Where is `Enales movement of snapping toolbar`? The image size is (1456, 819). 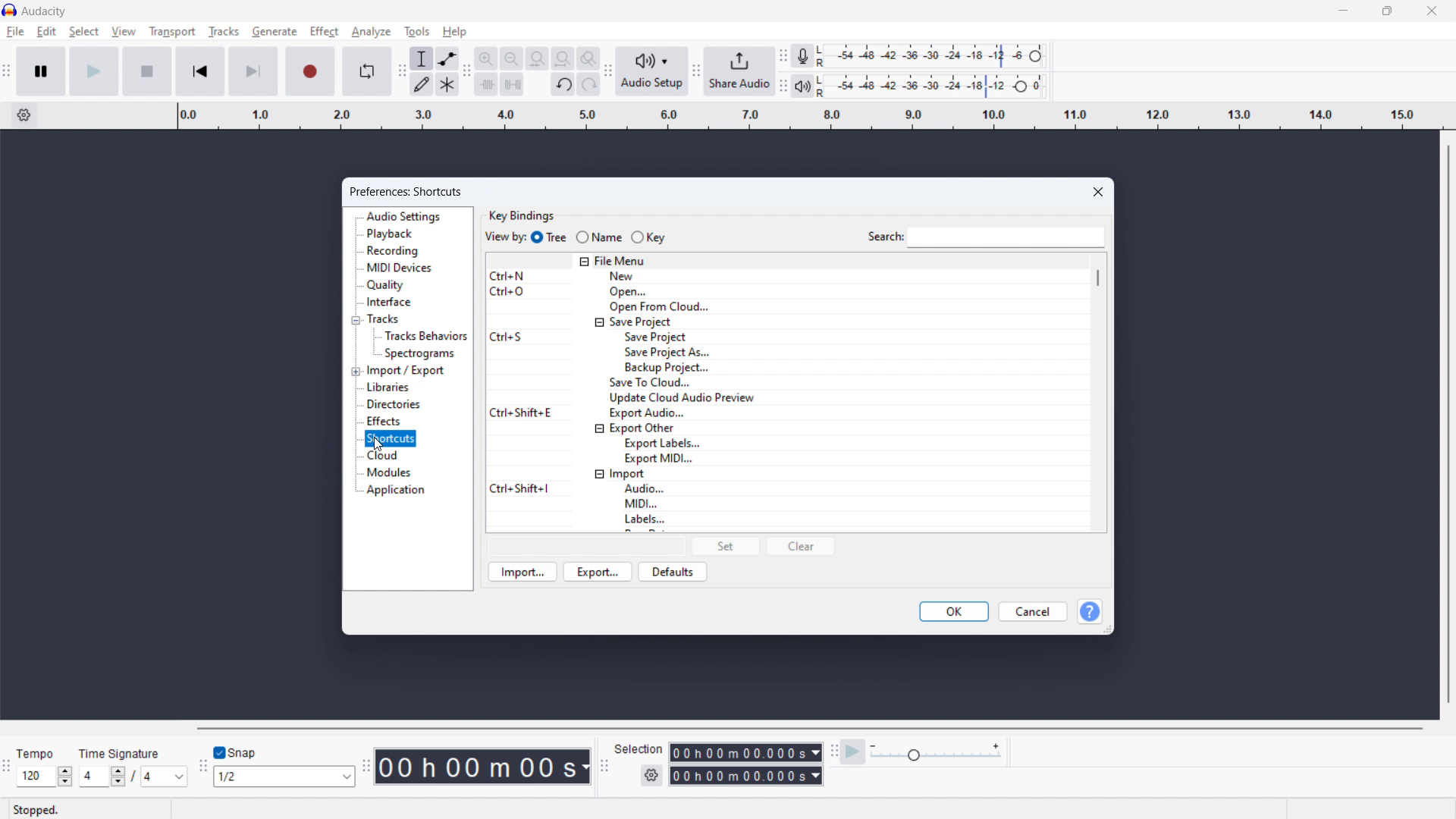 Enales movement of snapping toolbar is located at coordinates (202, 767).